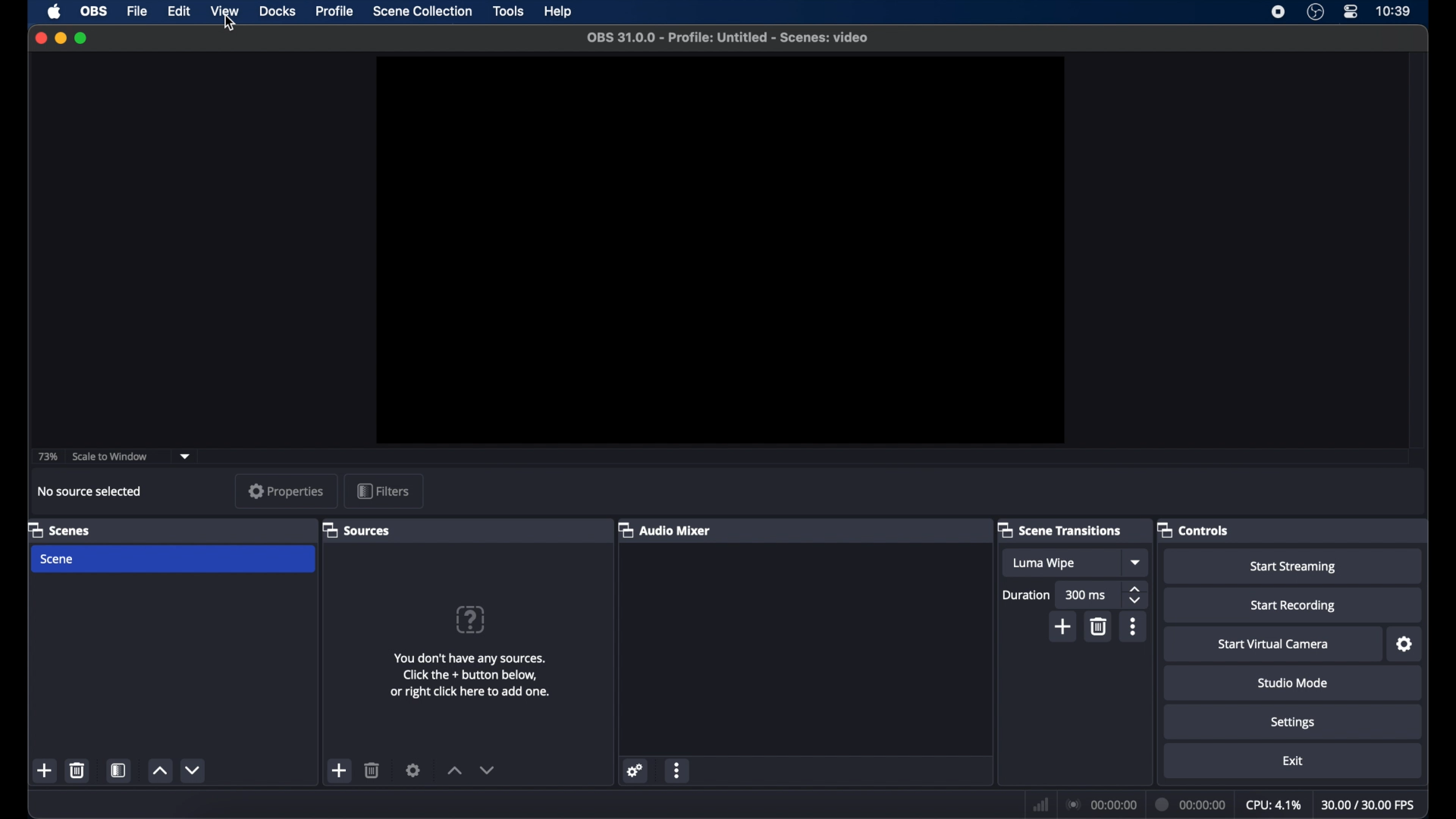 This screenshot has height=819, width=1456. I want to click on OBS 31.0.0 - Profile: Untitled - Scenes: video, so click(736, 37).